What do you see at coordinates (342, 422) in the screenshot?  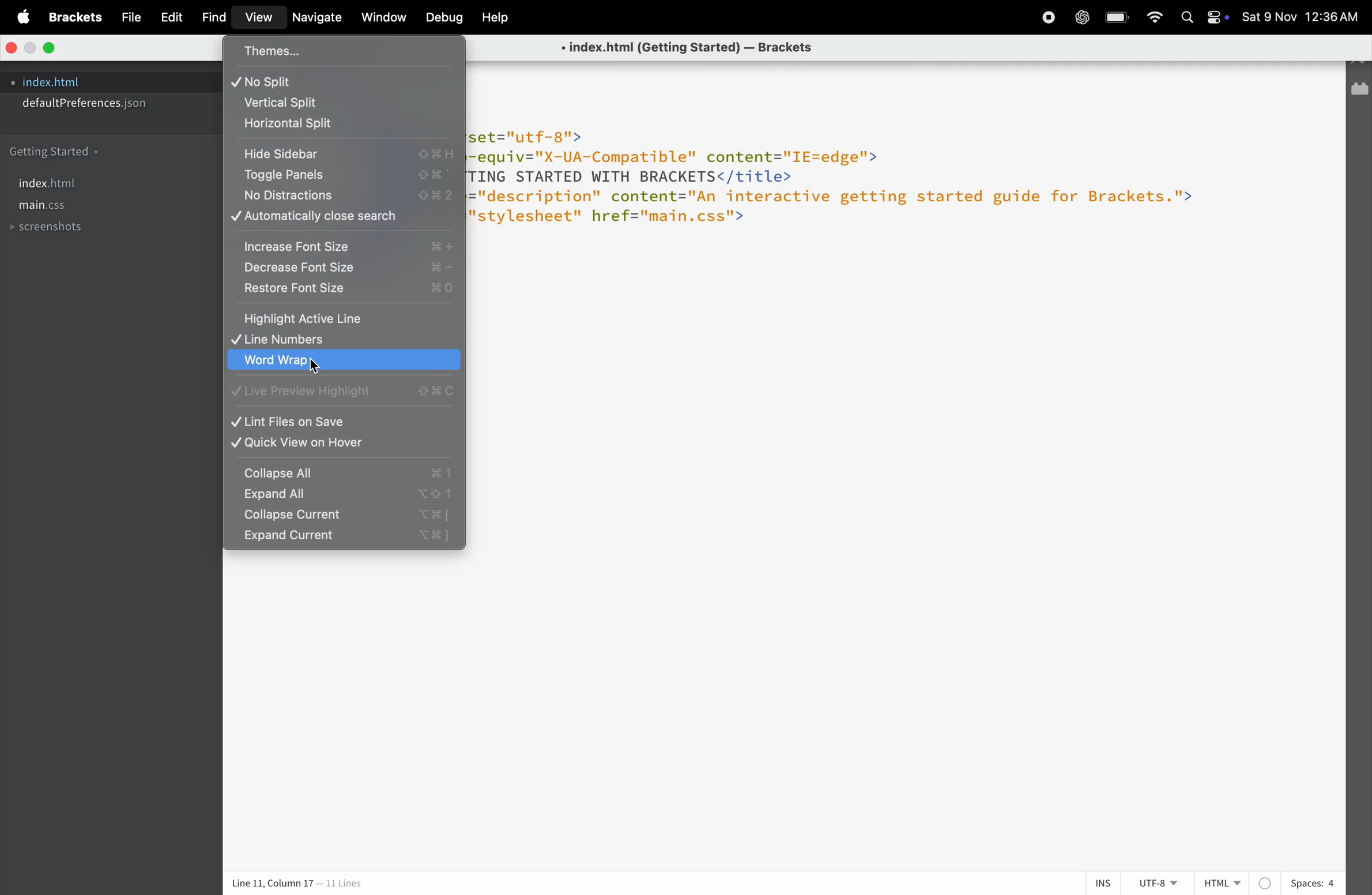 I see `lint files on save` at bounding box center [342, 422].